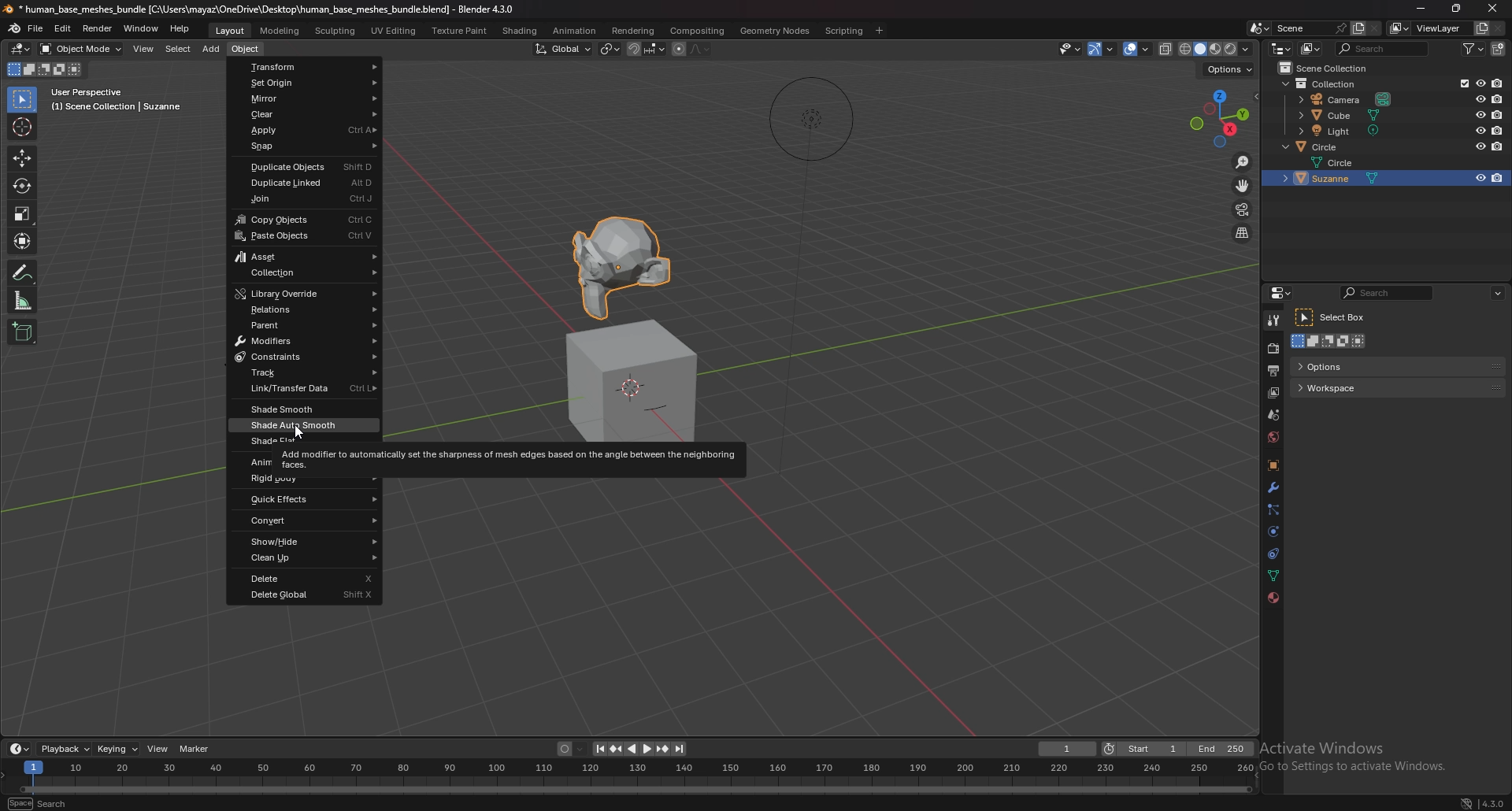 Image resolution: width=1512 pixels, height=811 pixels. What do you see at coordinates (158, 749) in the screenshot?
I see `view` at bounding box center [158, 749].